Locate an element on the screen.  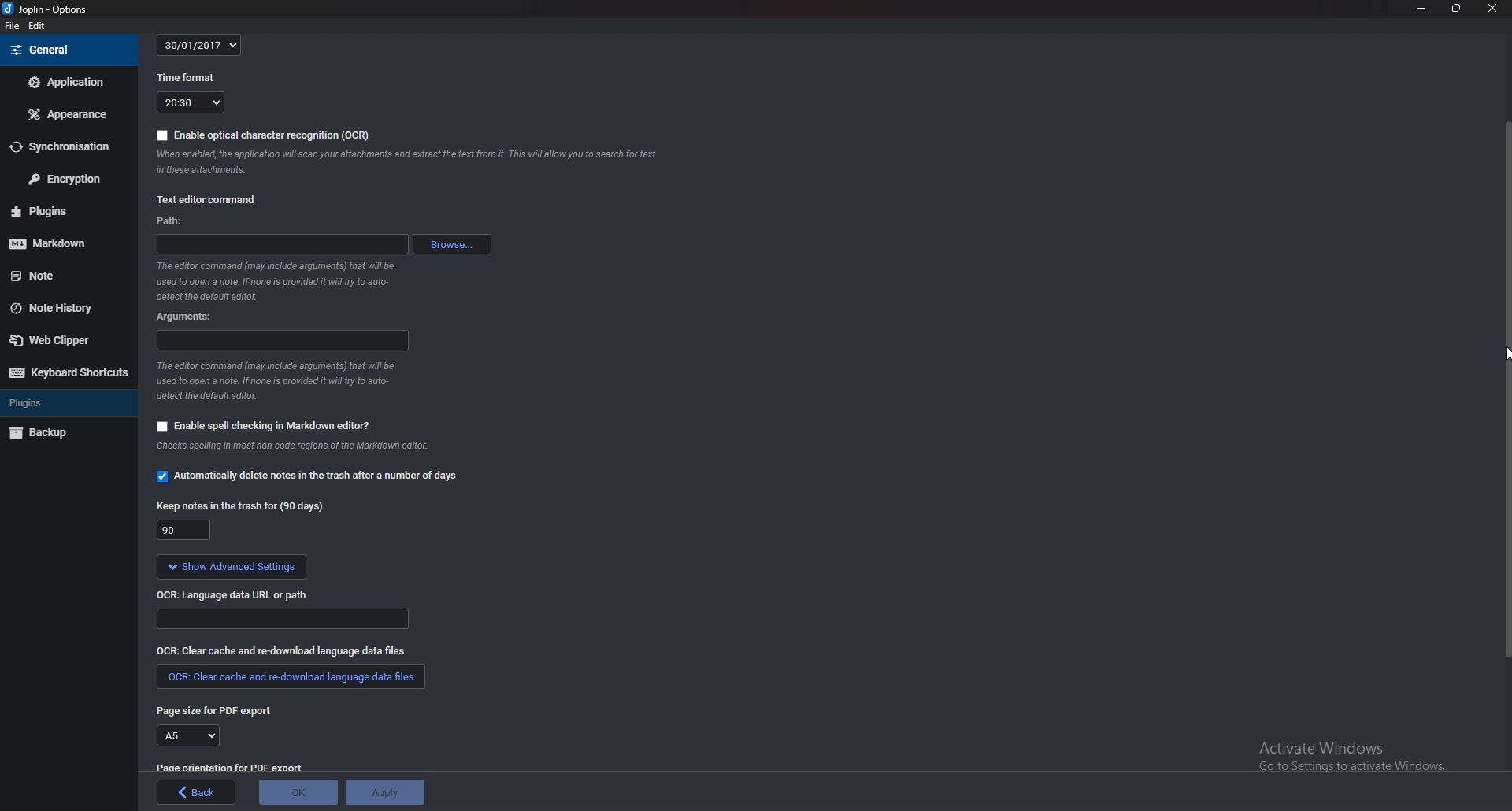
browse is located at coordinates (451, 244).